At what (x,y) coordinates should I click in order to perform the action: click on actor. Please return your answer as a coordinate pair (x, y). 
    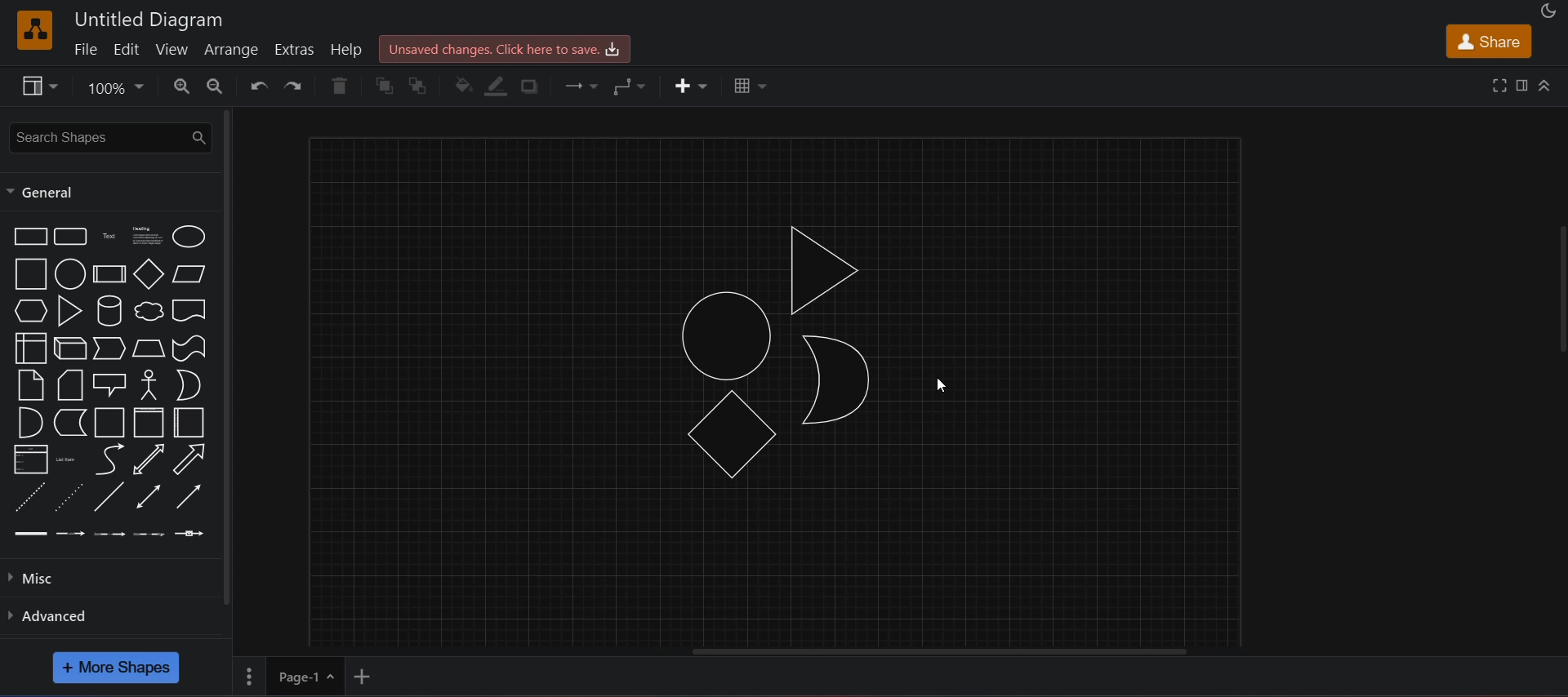
    Looking at the image, I should click on (149, 385).